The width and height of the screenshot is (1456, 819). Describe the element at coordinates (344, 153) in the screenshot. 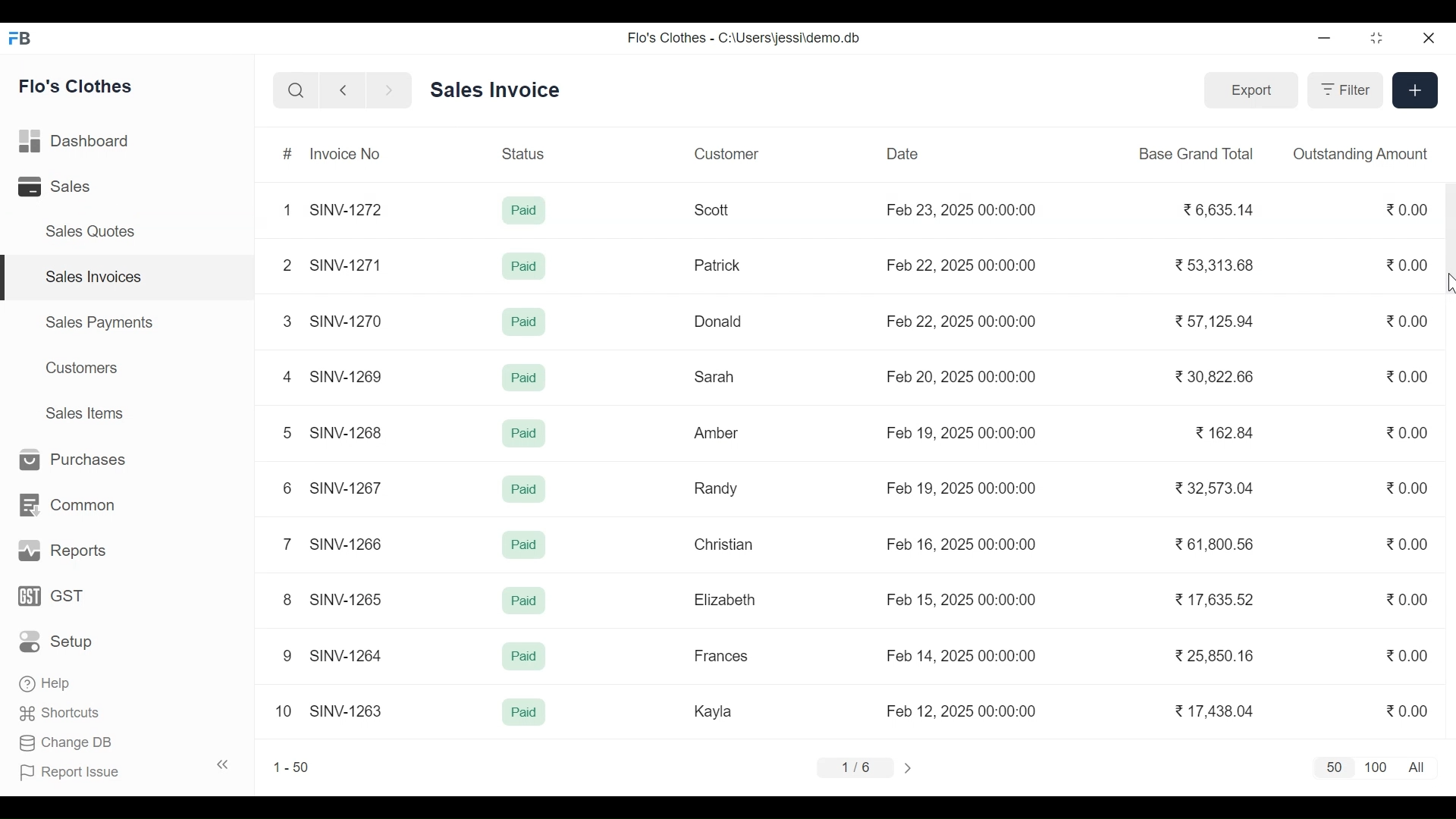

I see `Invoice No` at that location.